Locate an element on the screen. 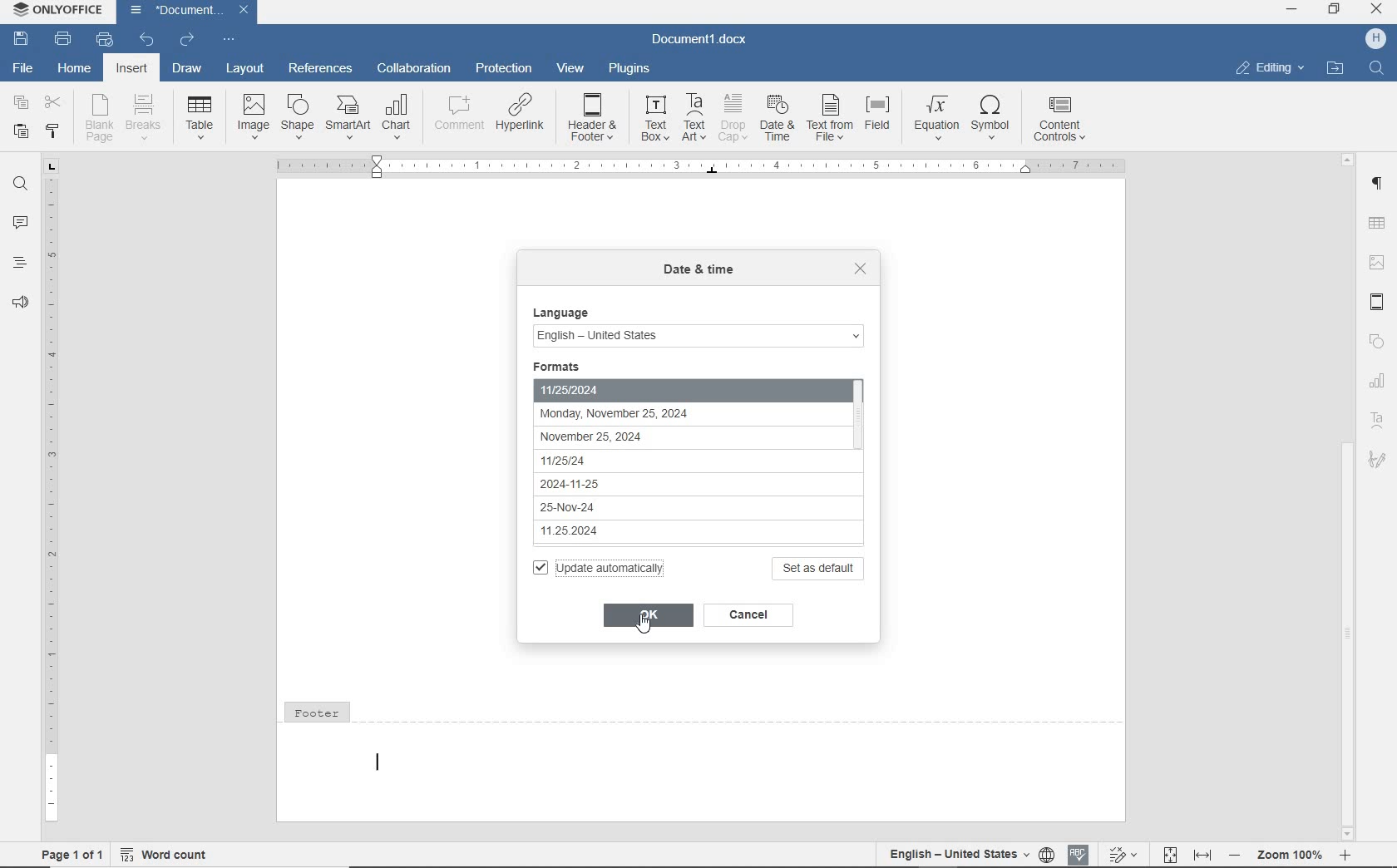 The height and width of the screenshot is (868, 1397). 2024-11-25 is located at coordinates (634, 482).